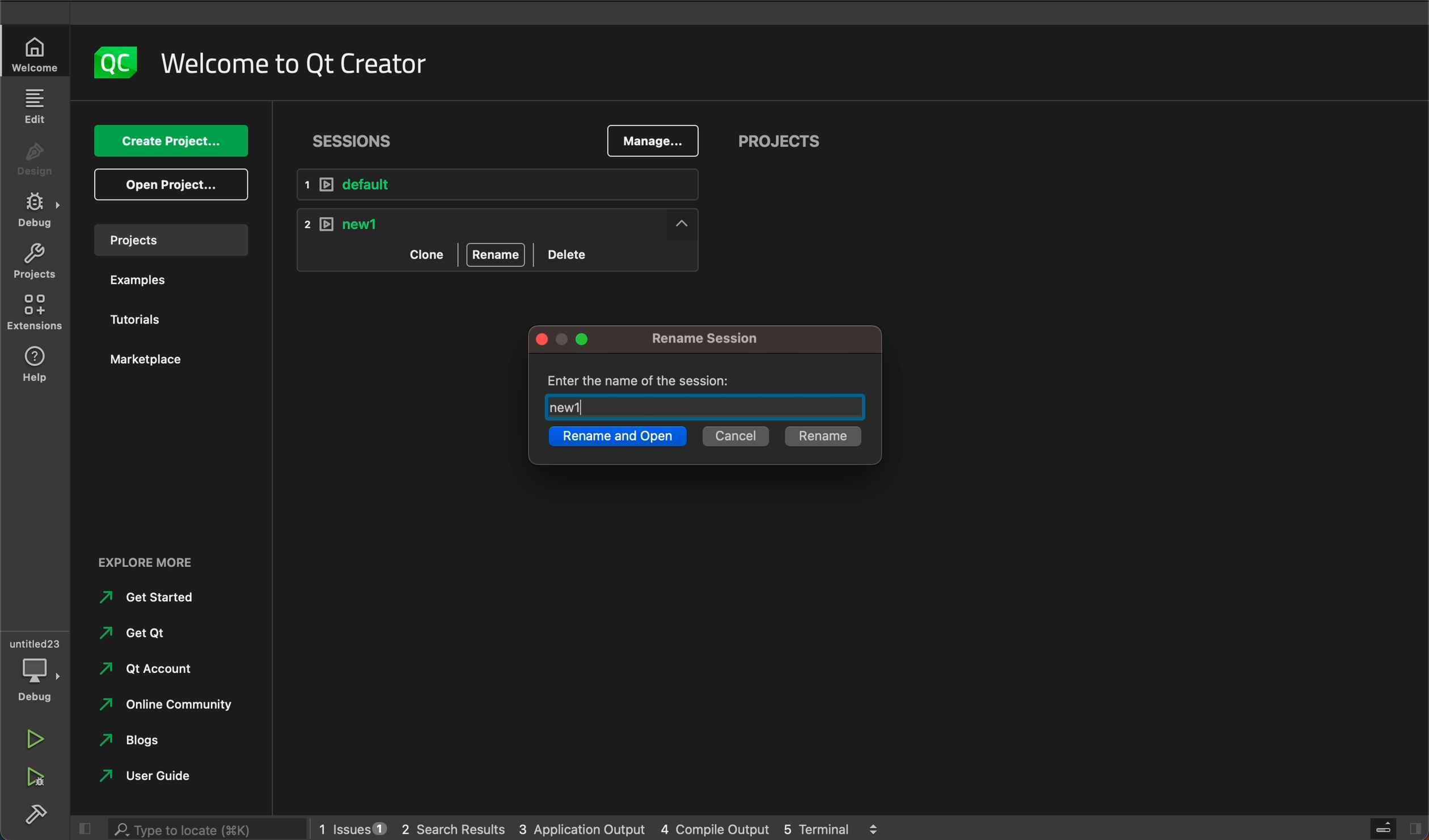 The image size is (1429, 840). What do you see at coordinates (36, 817) in the screenshot?
I see `` at bounding box center [36, 817].